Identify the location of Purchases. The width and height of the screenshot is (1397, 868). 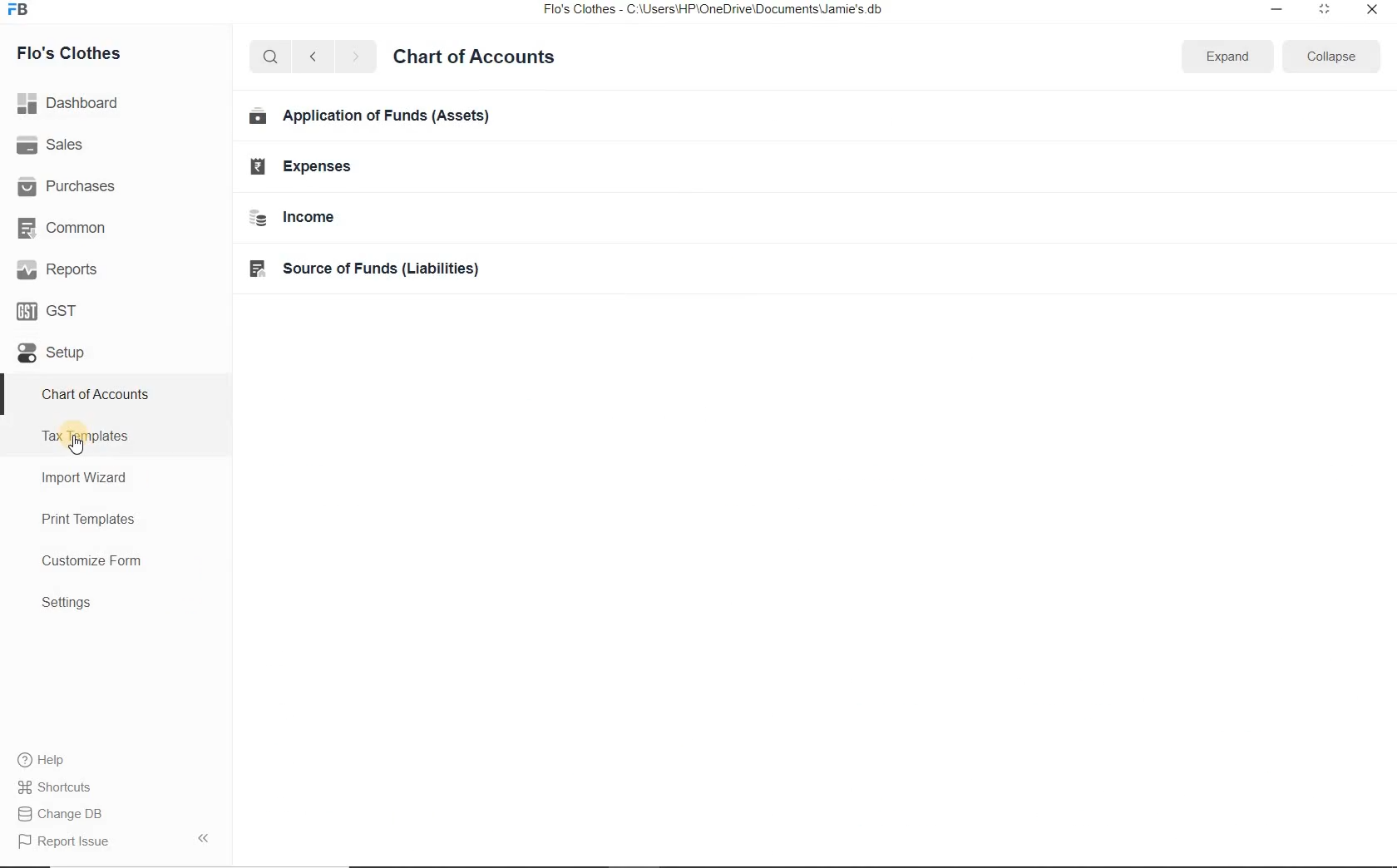
(116, 184).